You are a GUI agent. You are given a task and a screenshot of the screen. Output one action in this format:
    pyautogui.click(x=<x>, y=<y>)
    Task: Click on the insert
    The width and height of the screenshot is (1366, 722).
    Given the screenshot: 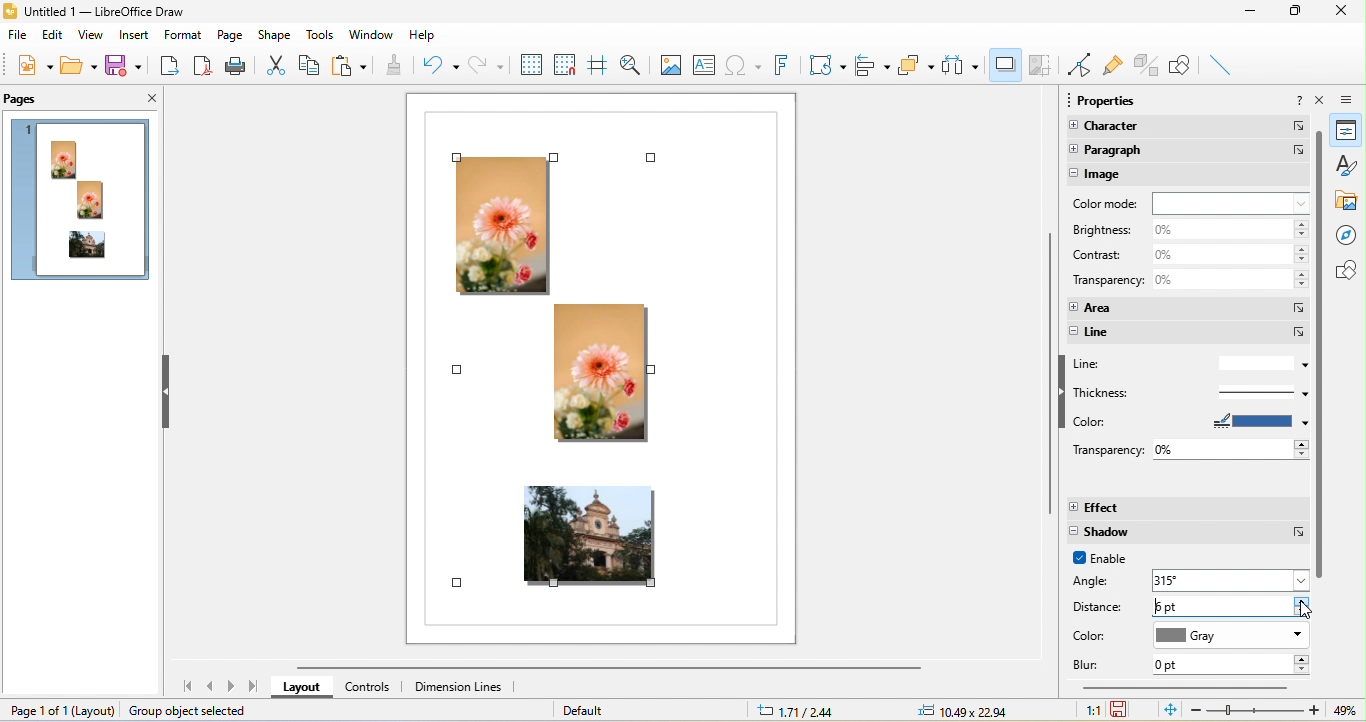 What is the action you would take?
    pyautogui.click(x=134, y=35)
    